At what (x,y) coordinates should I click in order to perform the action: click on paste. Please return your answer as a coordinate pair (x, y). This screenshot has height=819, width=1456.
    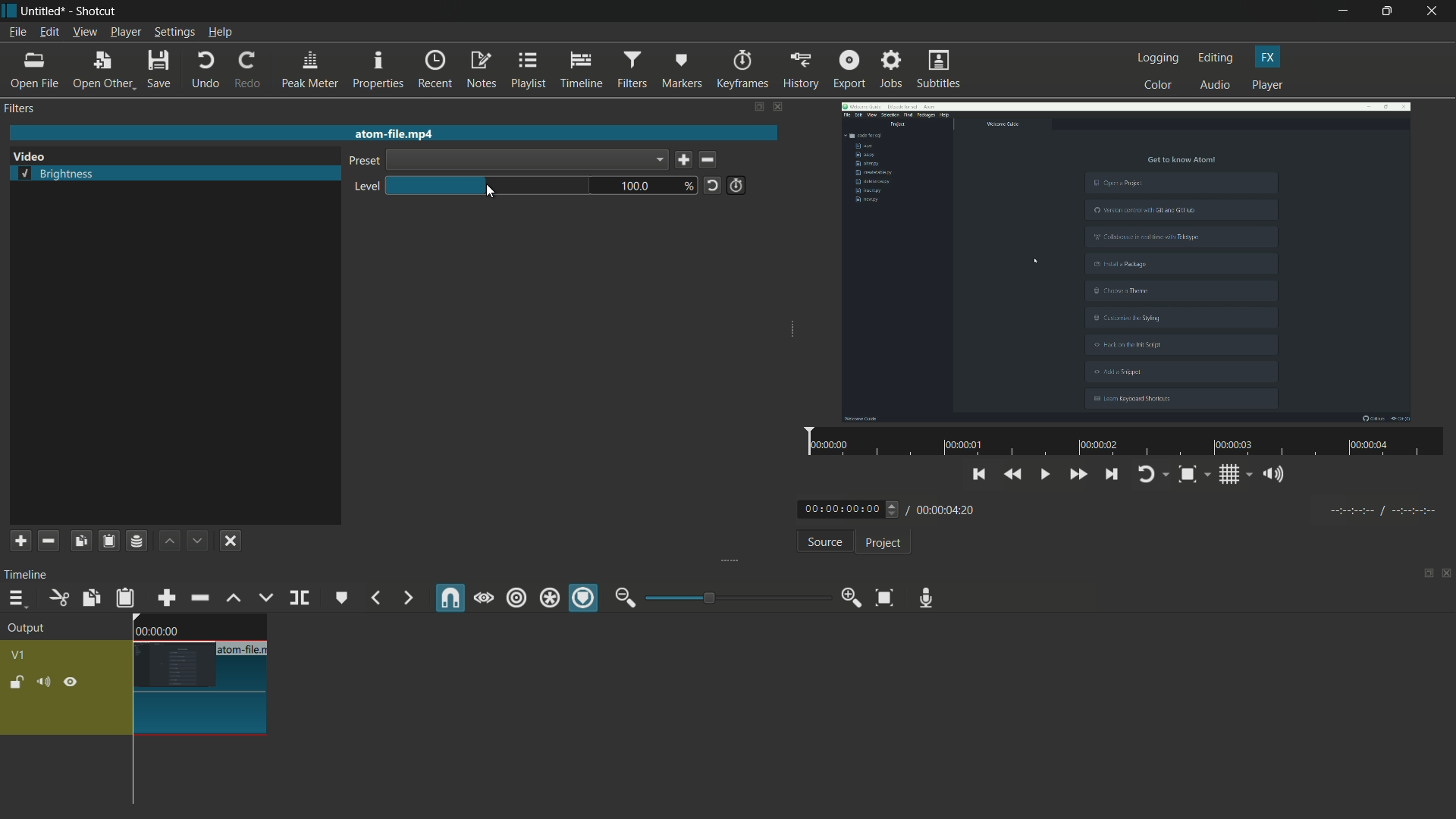
    Looking at the image, I should click on (125, 598).